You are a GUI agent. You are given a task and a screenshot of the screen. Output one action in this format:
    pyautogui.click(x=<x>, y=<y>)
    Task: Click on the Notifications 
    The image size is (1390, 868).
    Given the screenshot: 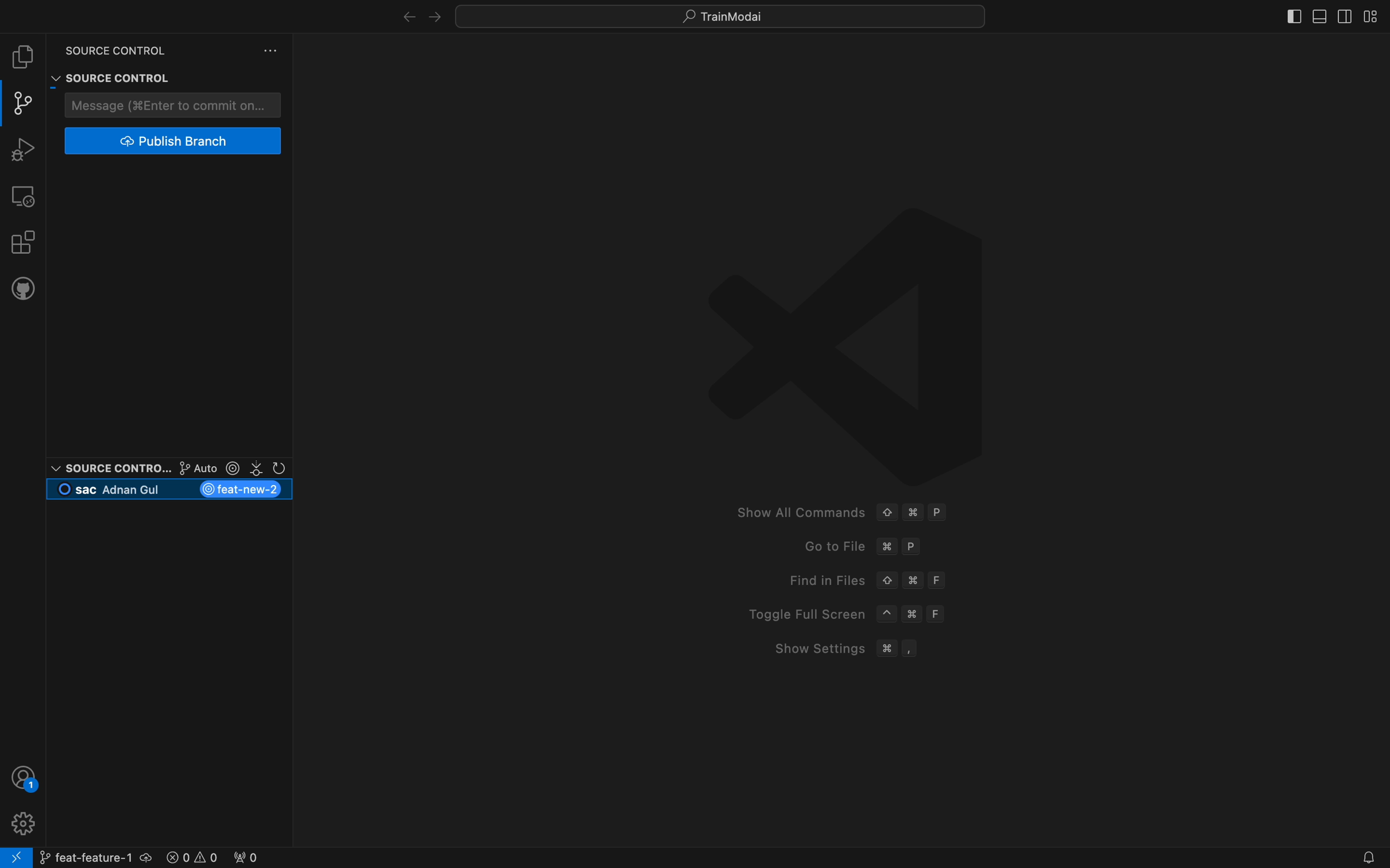 What is the action you would take?
    pyautogui.click(x=1366, y=858)
    